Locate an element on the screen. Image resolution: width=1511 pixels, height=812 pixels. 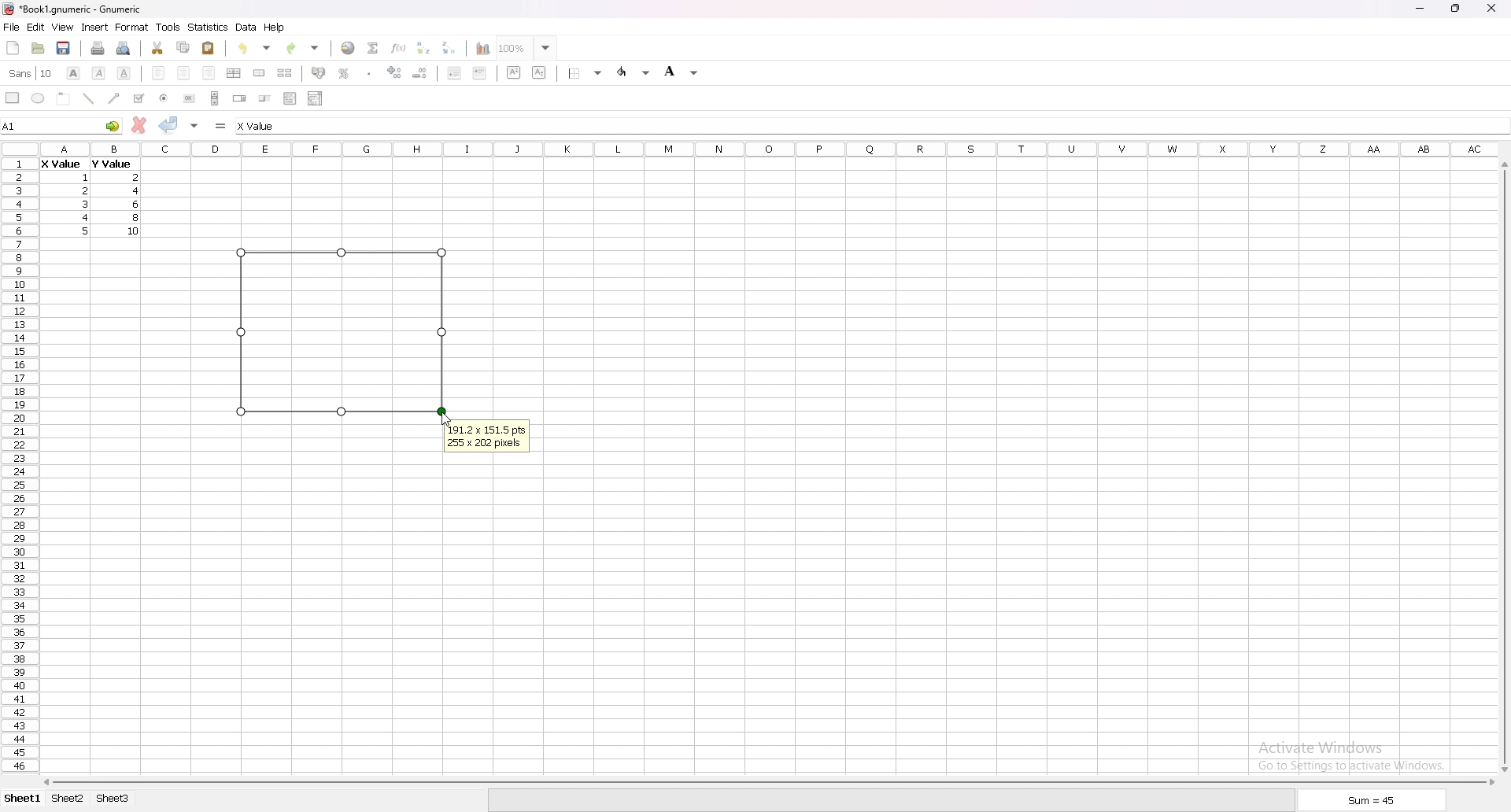
undo is located at coordinates (254, 48).